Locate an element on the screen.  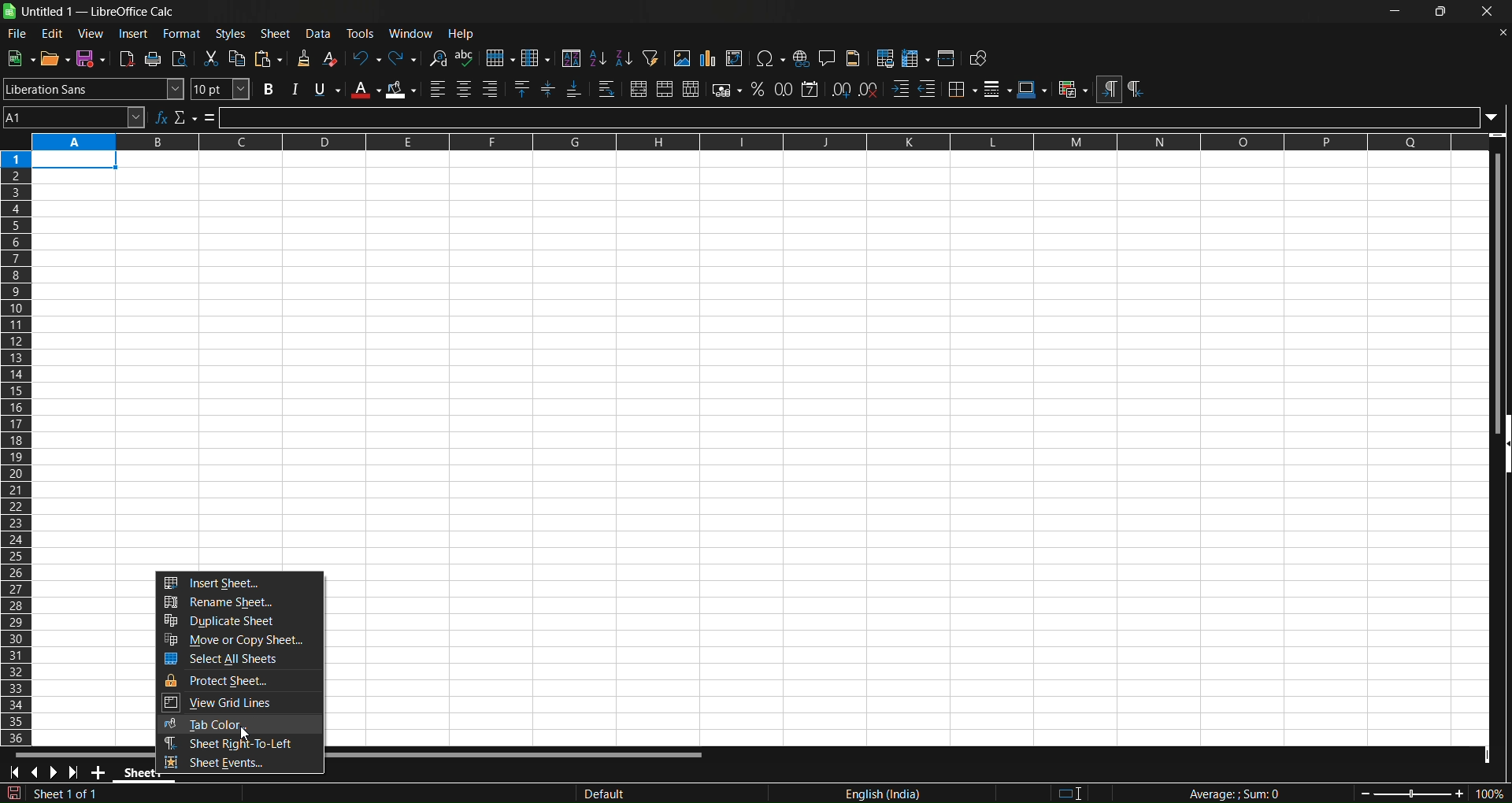
define print area is located at coordinates (886, 58).